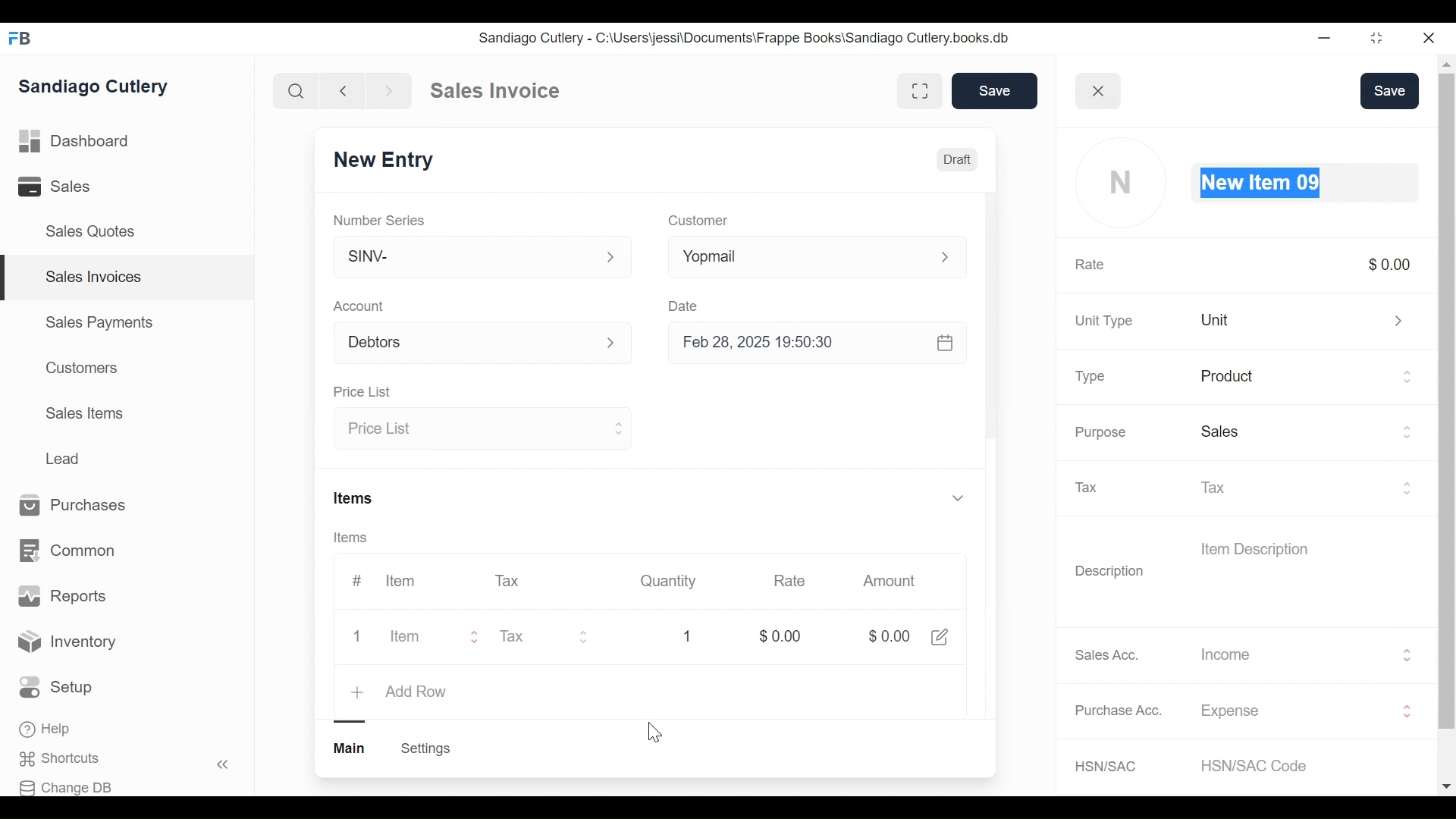 This screenshot has height=819, width=1456. Describe the element at coordinates (360, 579) in the screenshot. I see `#` at that location.